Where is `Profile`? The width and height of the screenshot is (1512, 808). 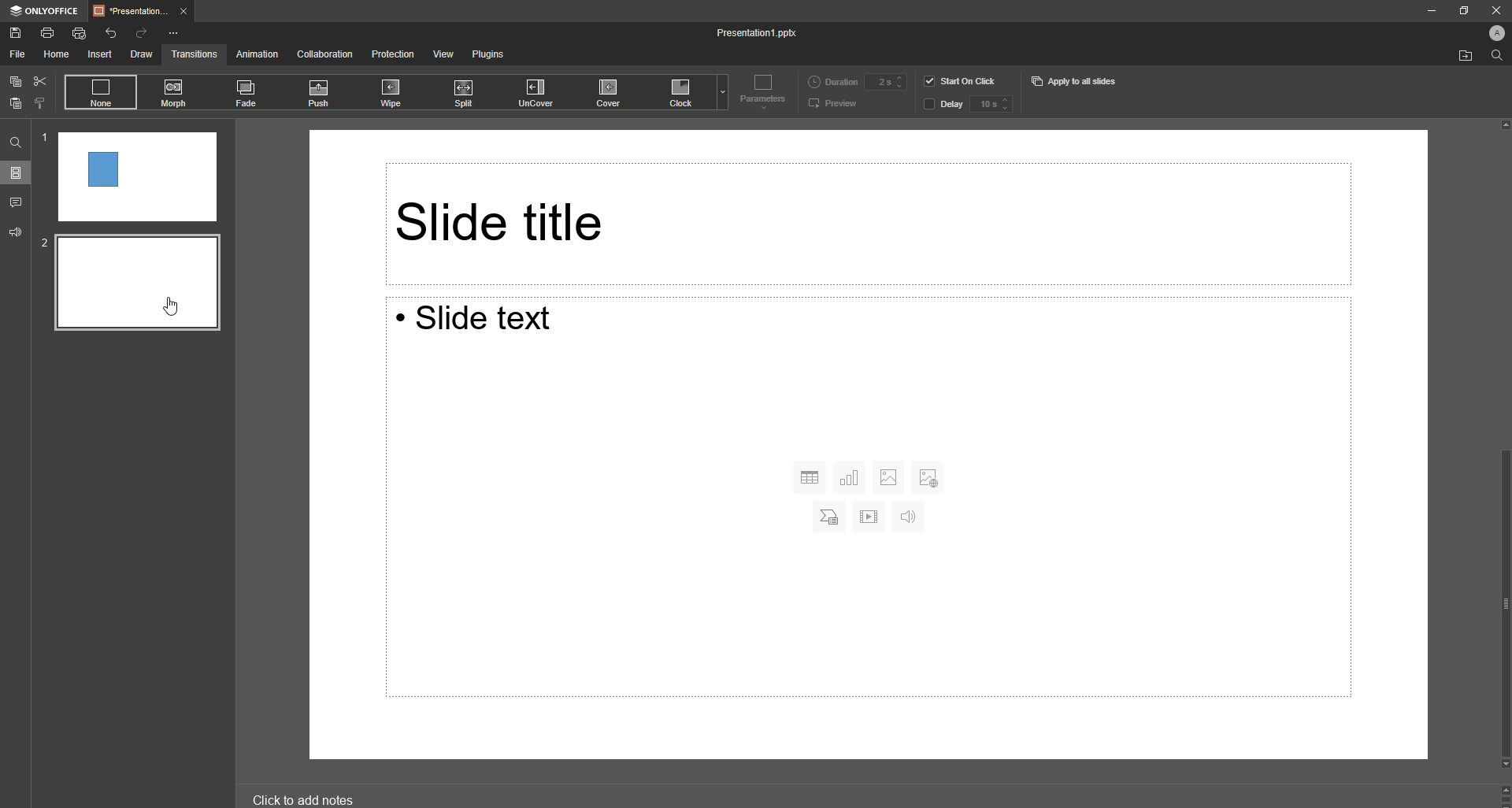 Profile is located at coordinates (1491, 33).